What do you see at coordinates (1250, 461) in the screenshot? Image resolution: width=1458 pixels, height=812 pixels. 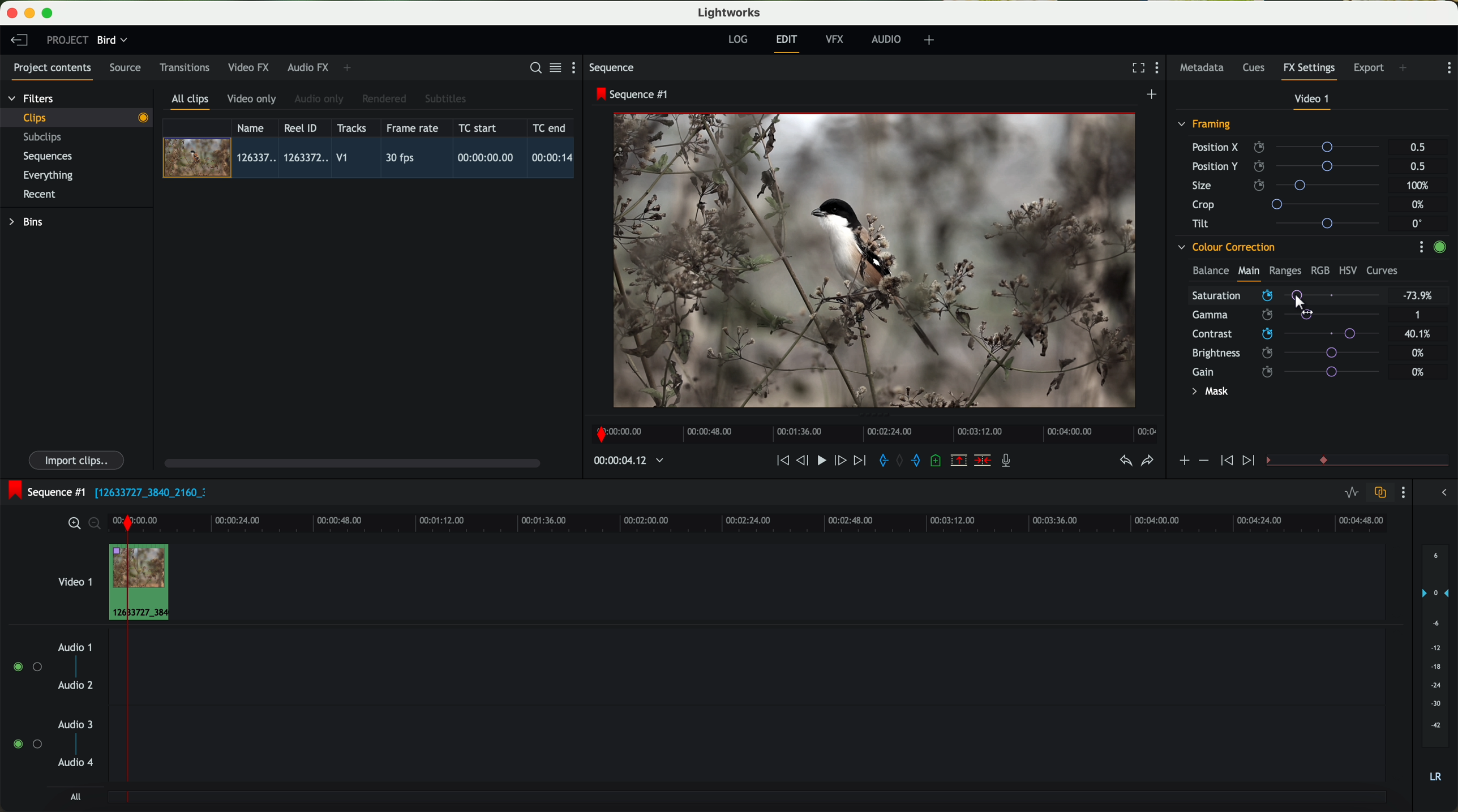 I see `icon` at bounding box center [1250, 461].